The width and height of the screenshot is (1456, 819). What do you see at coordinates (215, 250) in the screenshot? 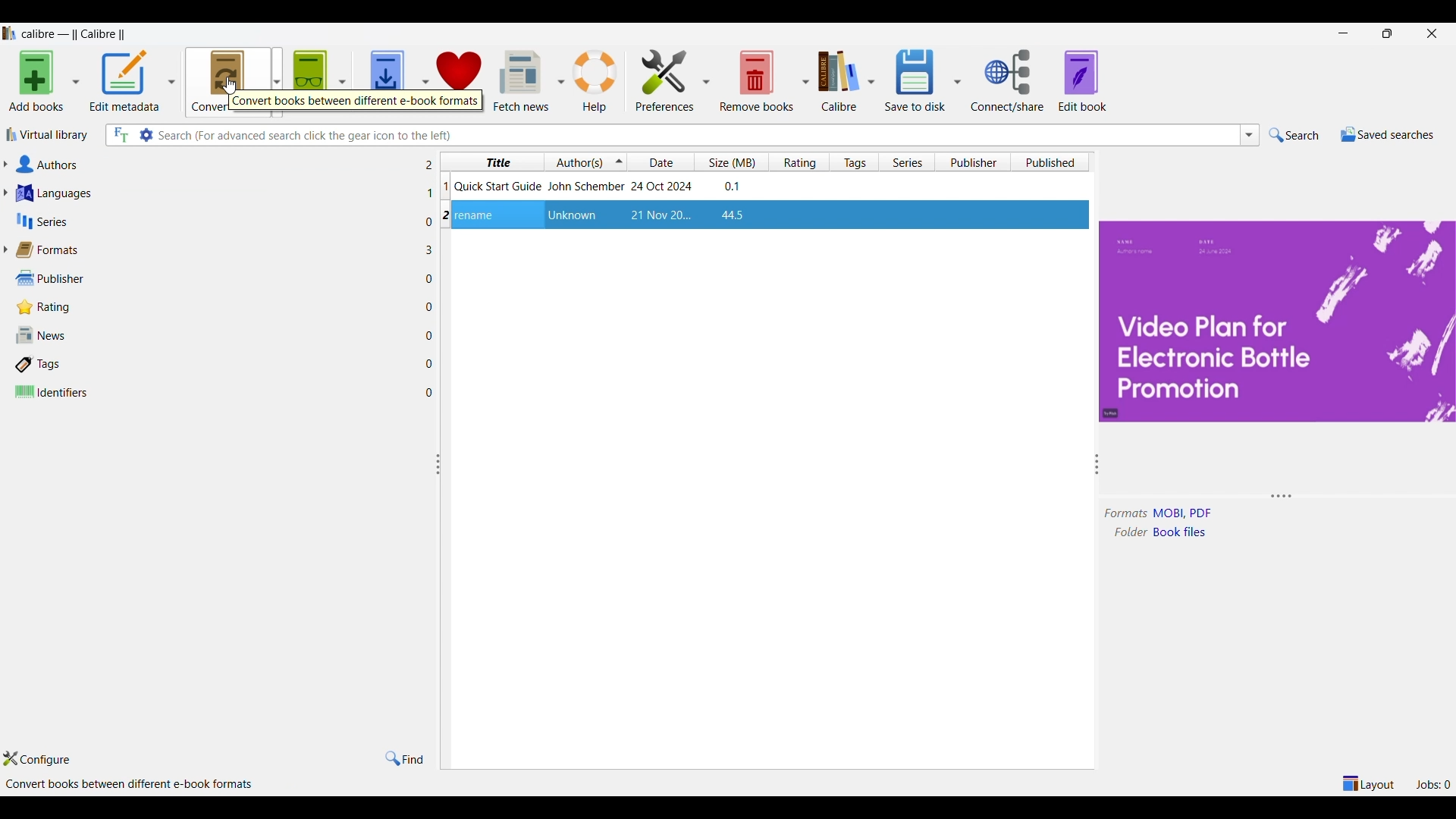
I see `Formats` at bounding box center [215, 250].